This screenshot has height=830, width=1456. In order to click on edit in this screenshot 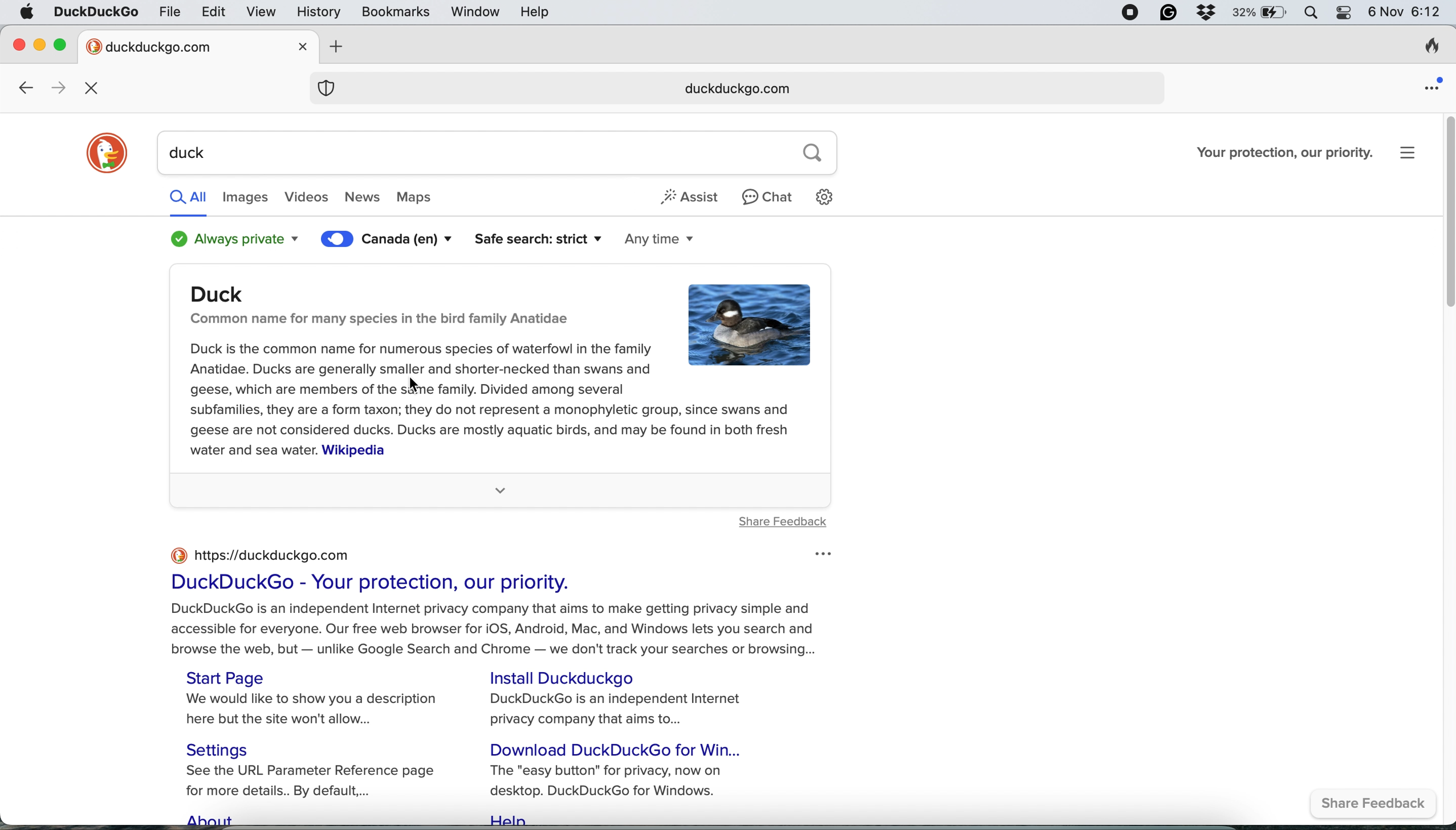, I will do `click(215, 11)`.